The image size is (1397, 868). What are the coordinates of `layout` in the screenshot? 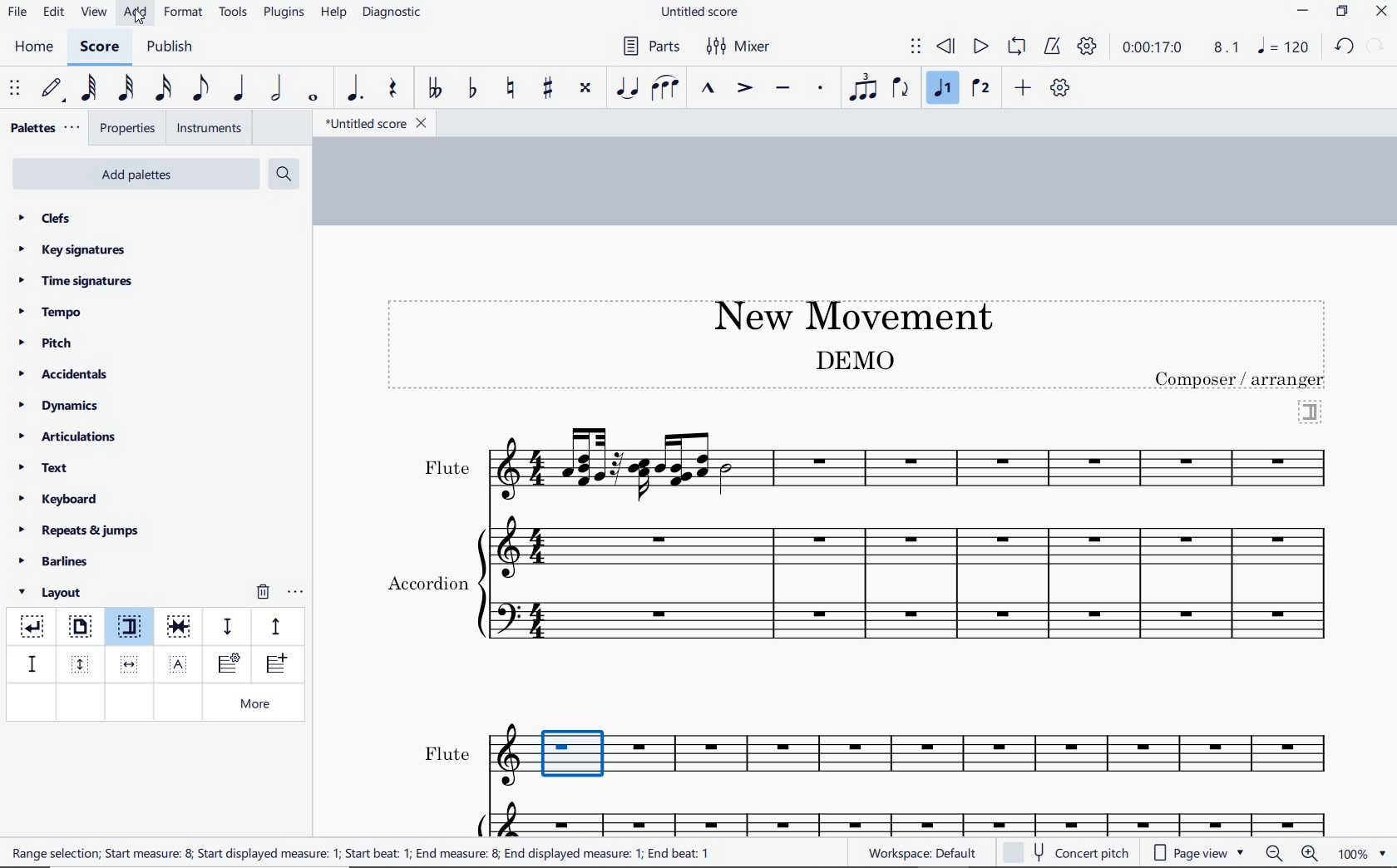 It's located at (53, 593).